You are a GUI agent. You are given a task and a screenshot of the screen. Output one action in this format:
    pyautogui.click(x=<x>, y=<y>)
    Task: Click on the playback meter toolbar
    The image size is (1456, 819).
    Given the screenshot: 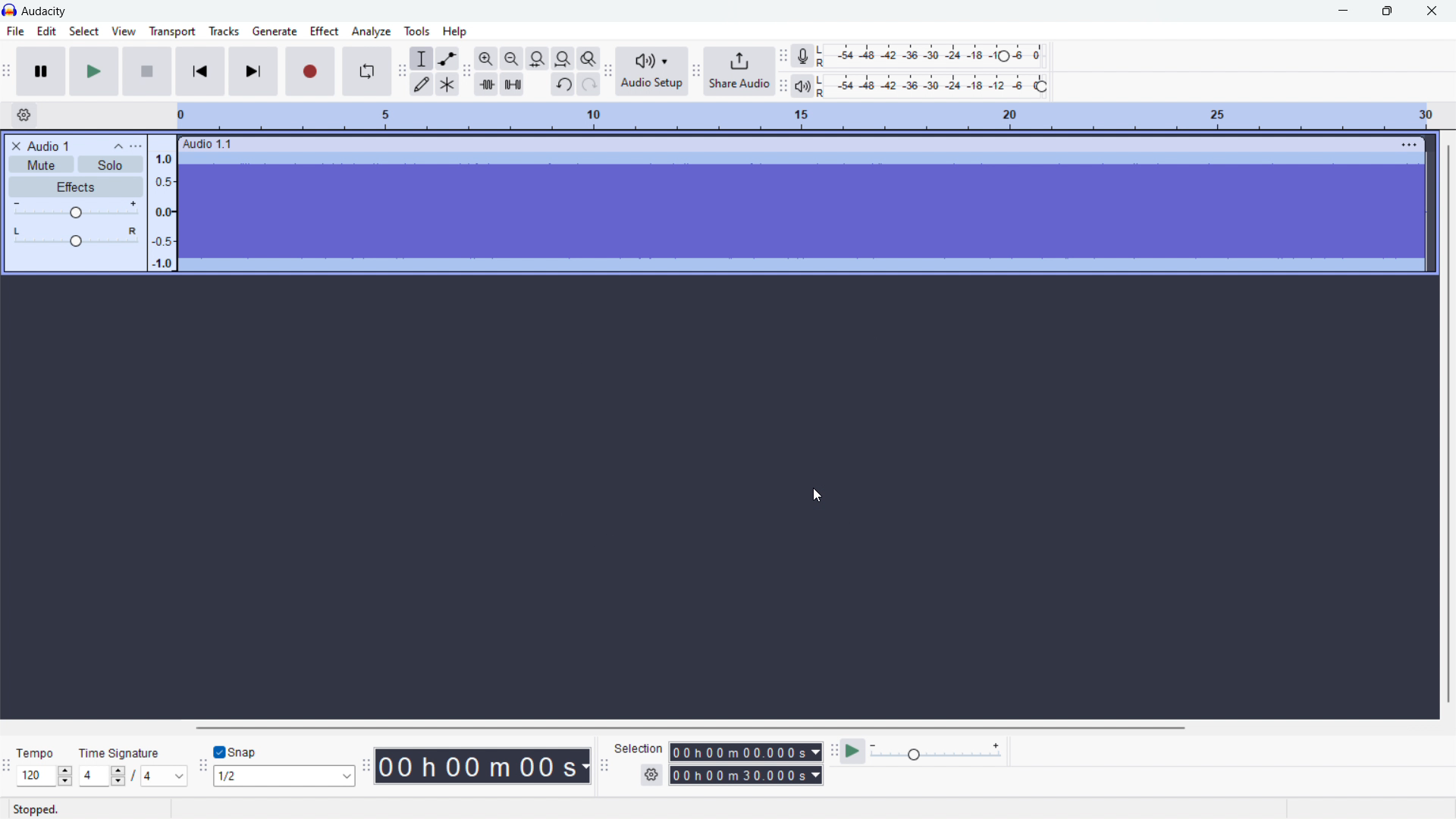 What is the action you would take?
    pyautogui.click(x=783, y=86)
    